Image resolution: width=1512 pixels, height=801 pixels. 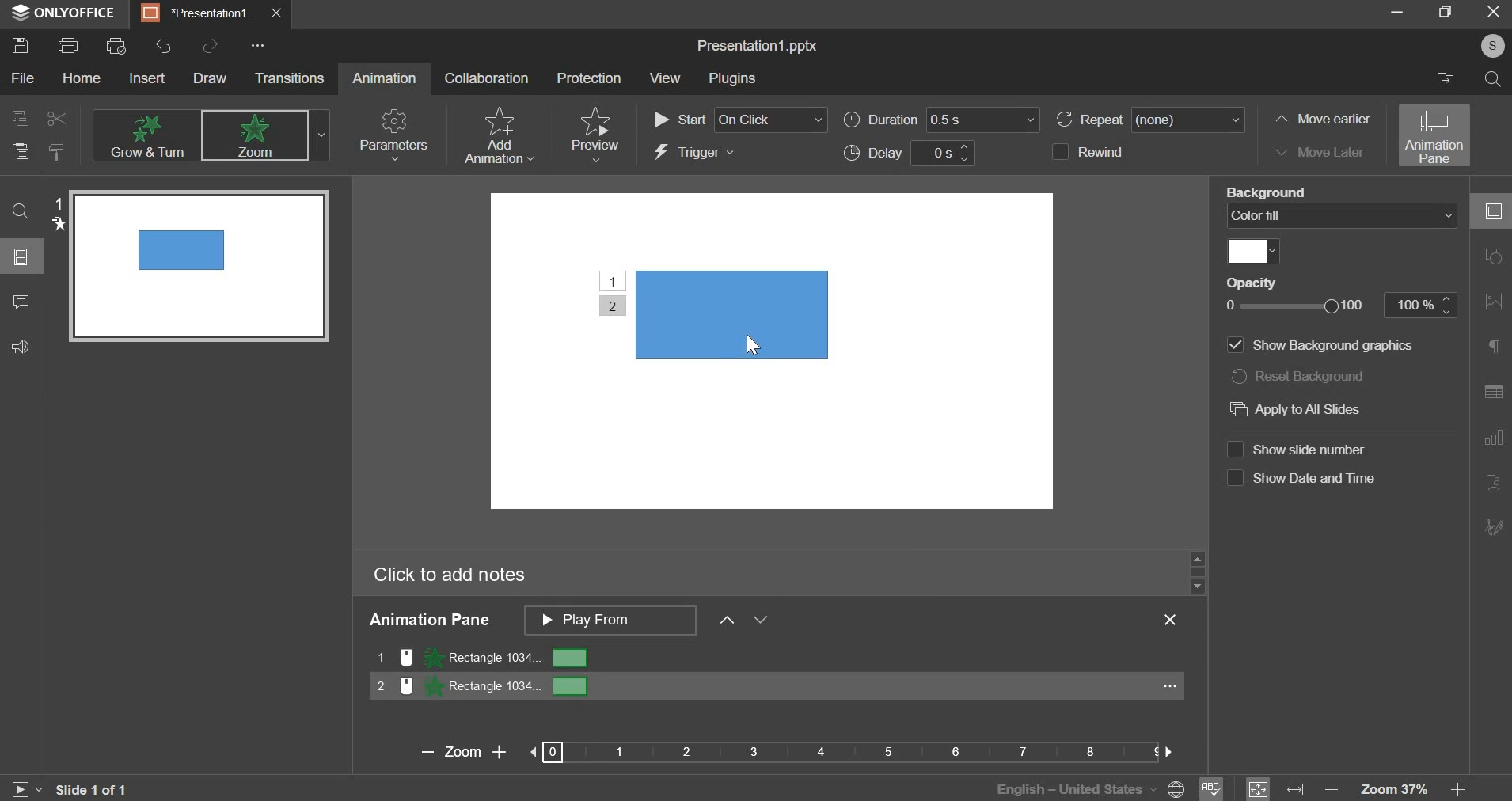 I want to click on print preview, so click(x=117, y=46).